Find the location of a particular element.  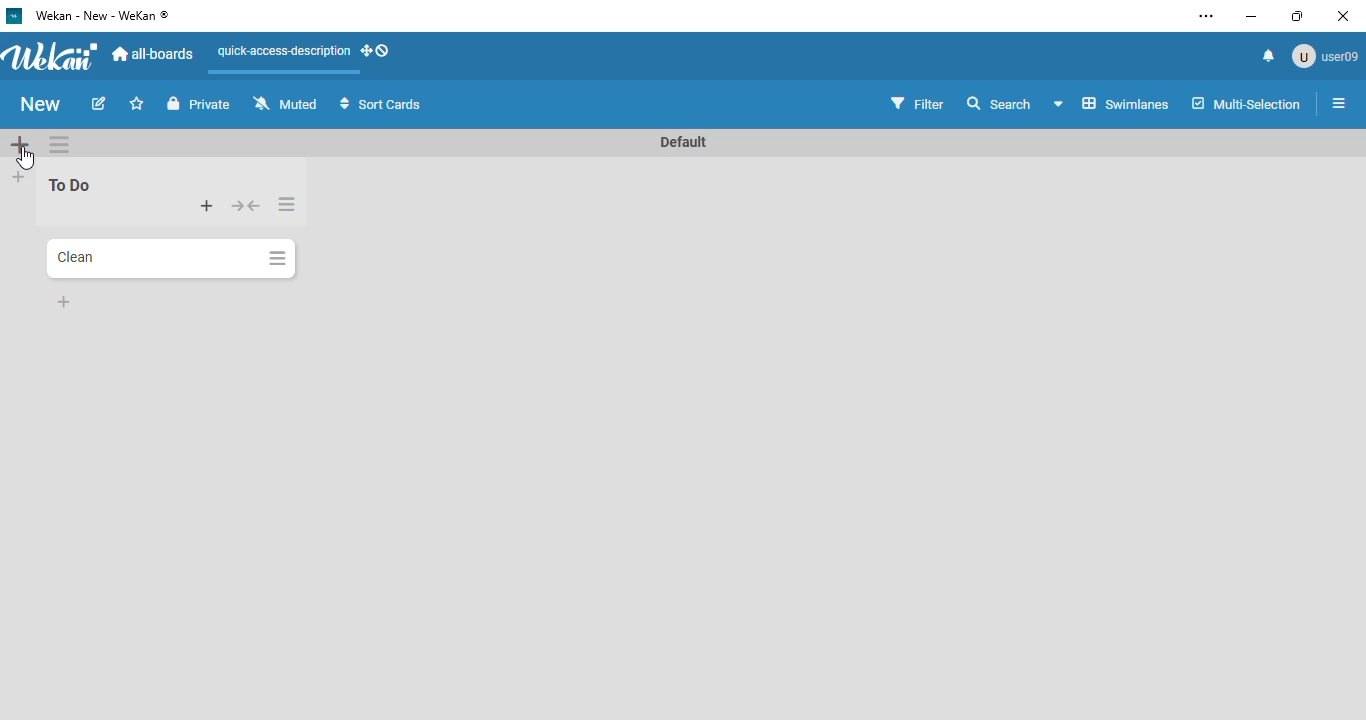

add card to bottom of list is located at coordinates (64, 302).